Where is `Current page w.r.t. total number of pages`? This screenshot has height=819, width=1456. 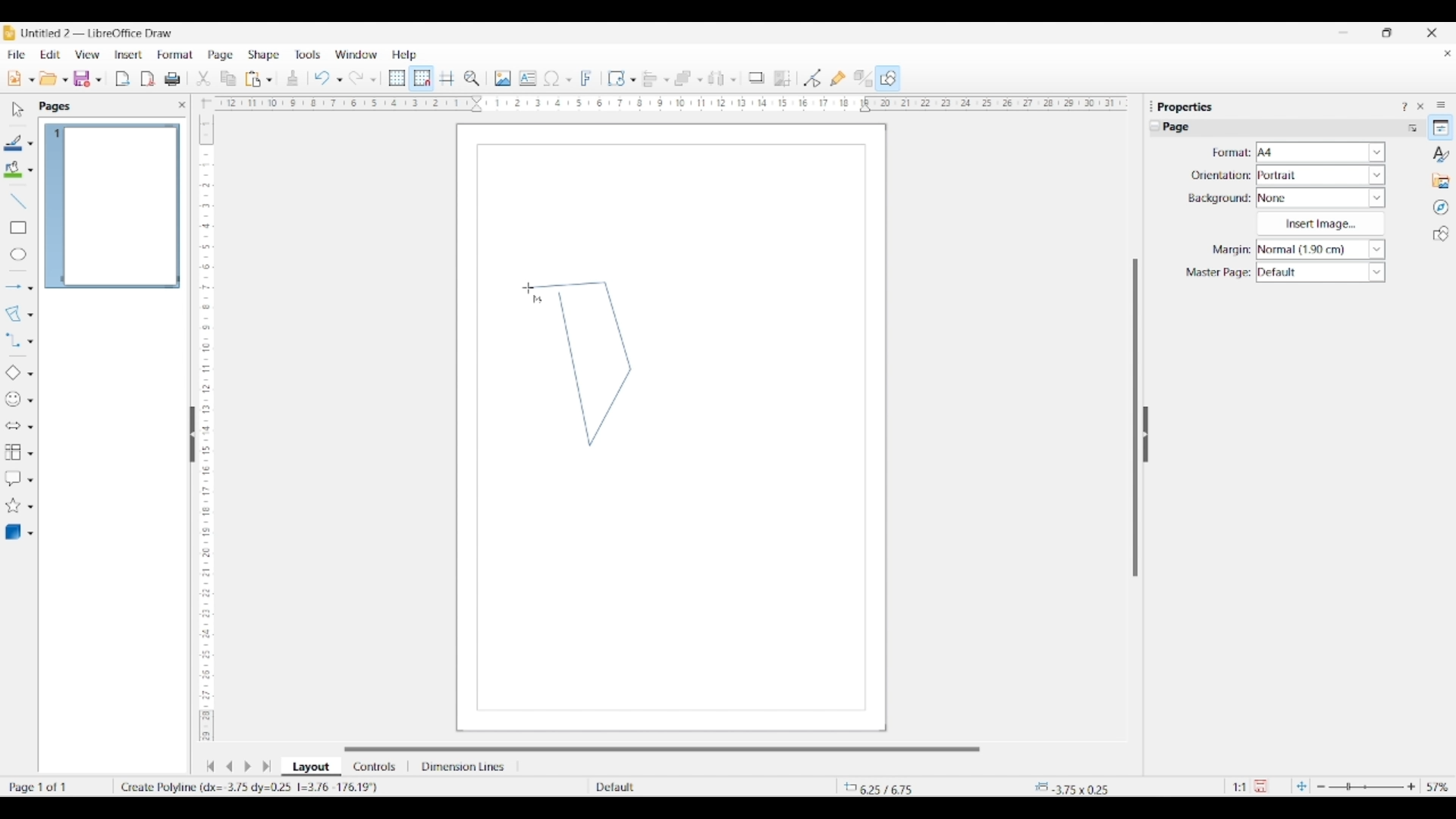 Current page w.r.t. total number of pages is located at coordinates (56, 786).